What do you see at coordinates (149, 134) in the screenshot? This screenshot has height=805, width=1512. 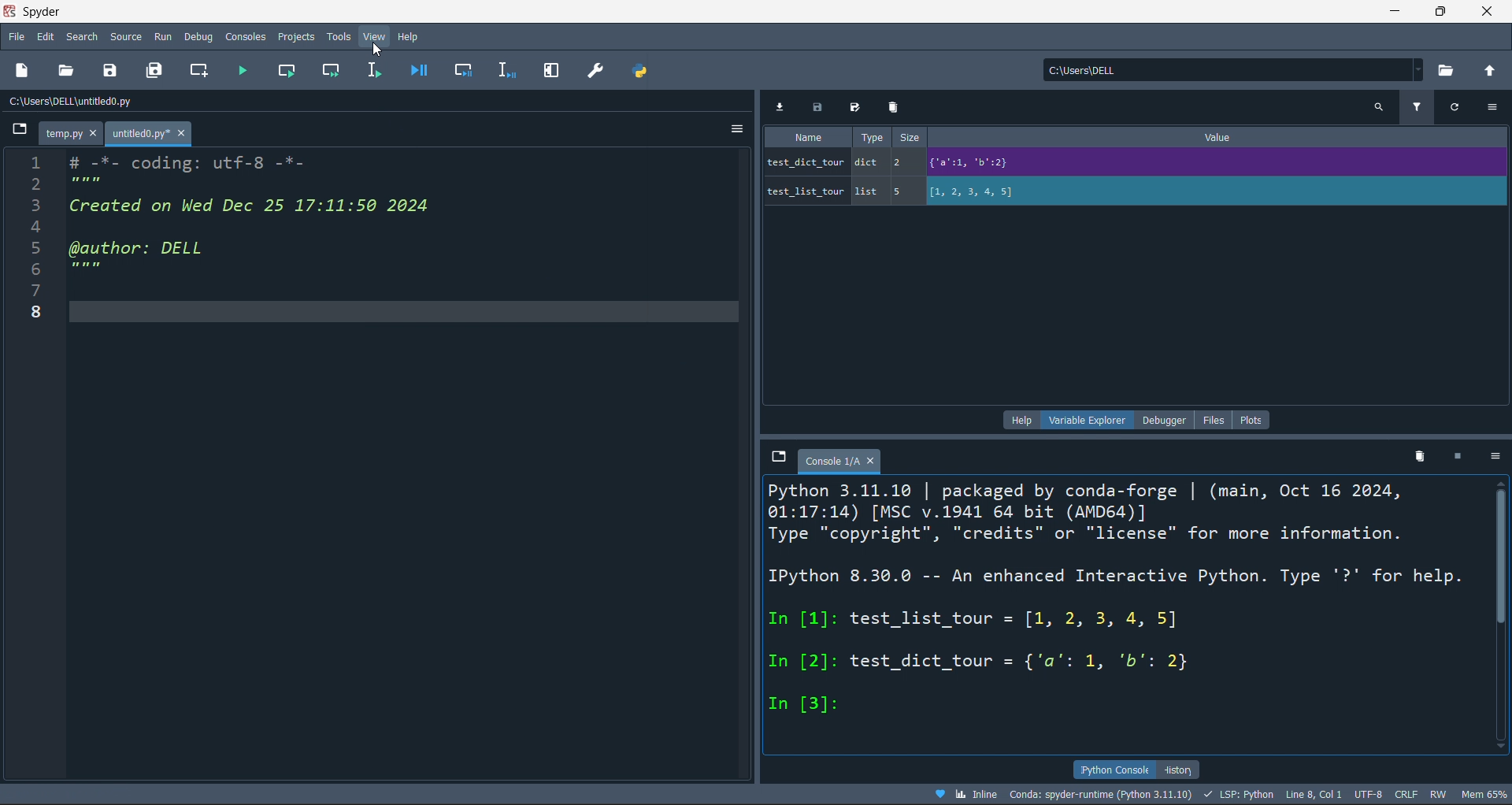 I see `untitled` at bounding box center [149, 134].